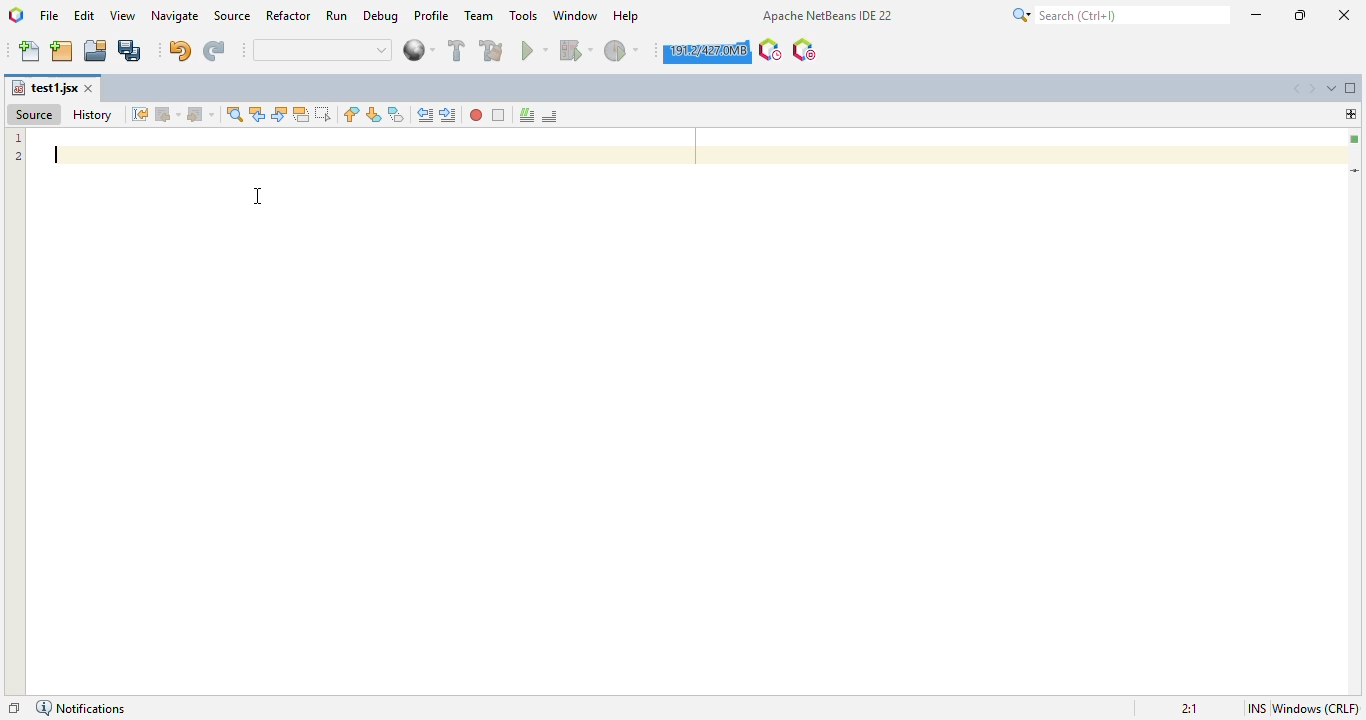  What do you see at coordinates (771, 50) in the screenshot?
I see `profile the IDE` at bounding box center [771, 50].